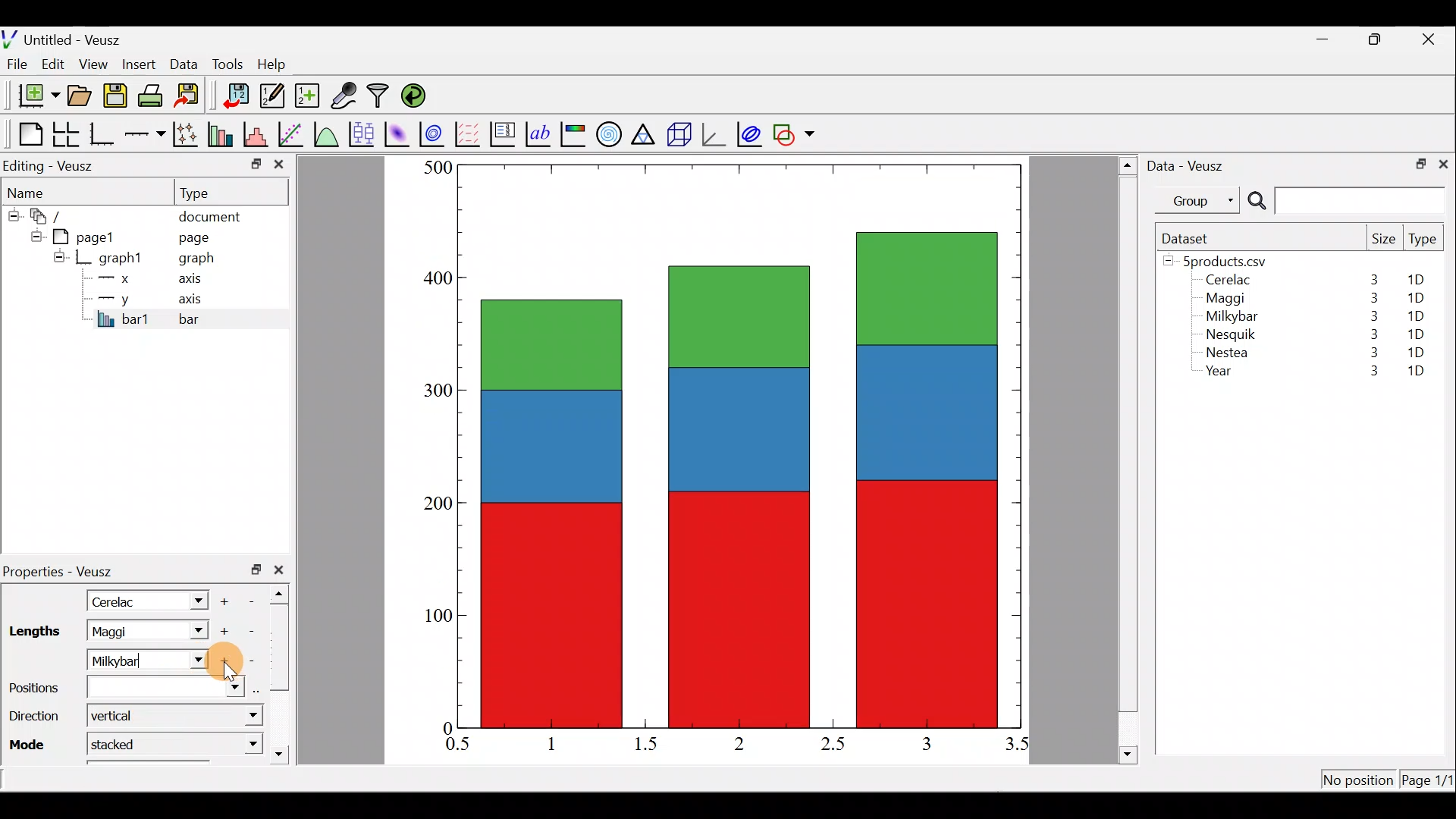 The width and height of the screenshot is (1456, 819). I want to click on 2, so click(736, 742).